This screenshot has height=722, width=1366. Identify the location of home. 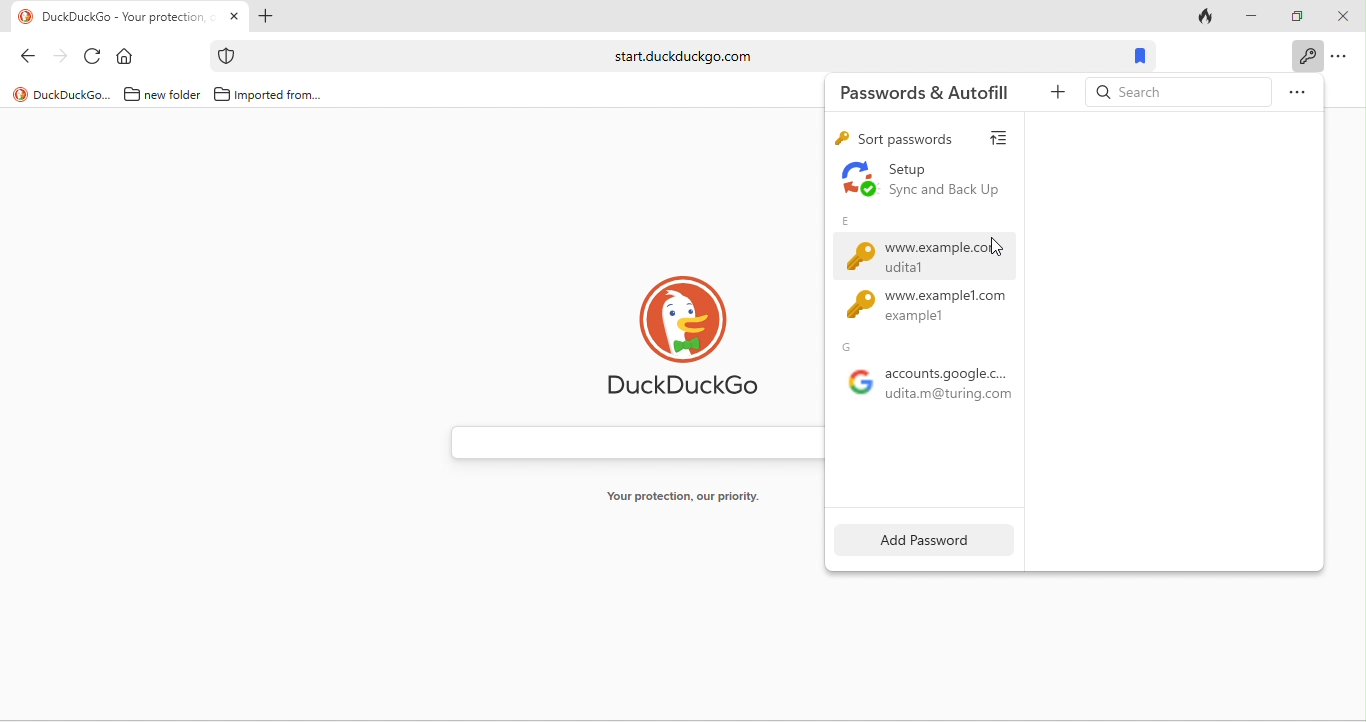
(127, 58).